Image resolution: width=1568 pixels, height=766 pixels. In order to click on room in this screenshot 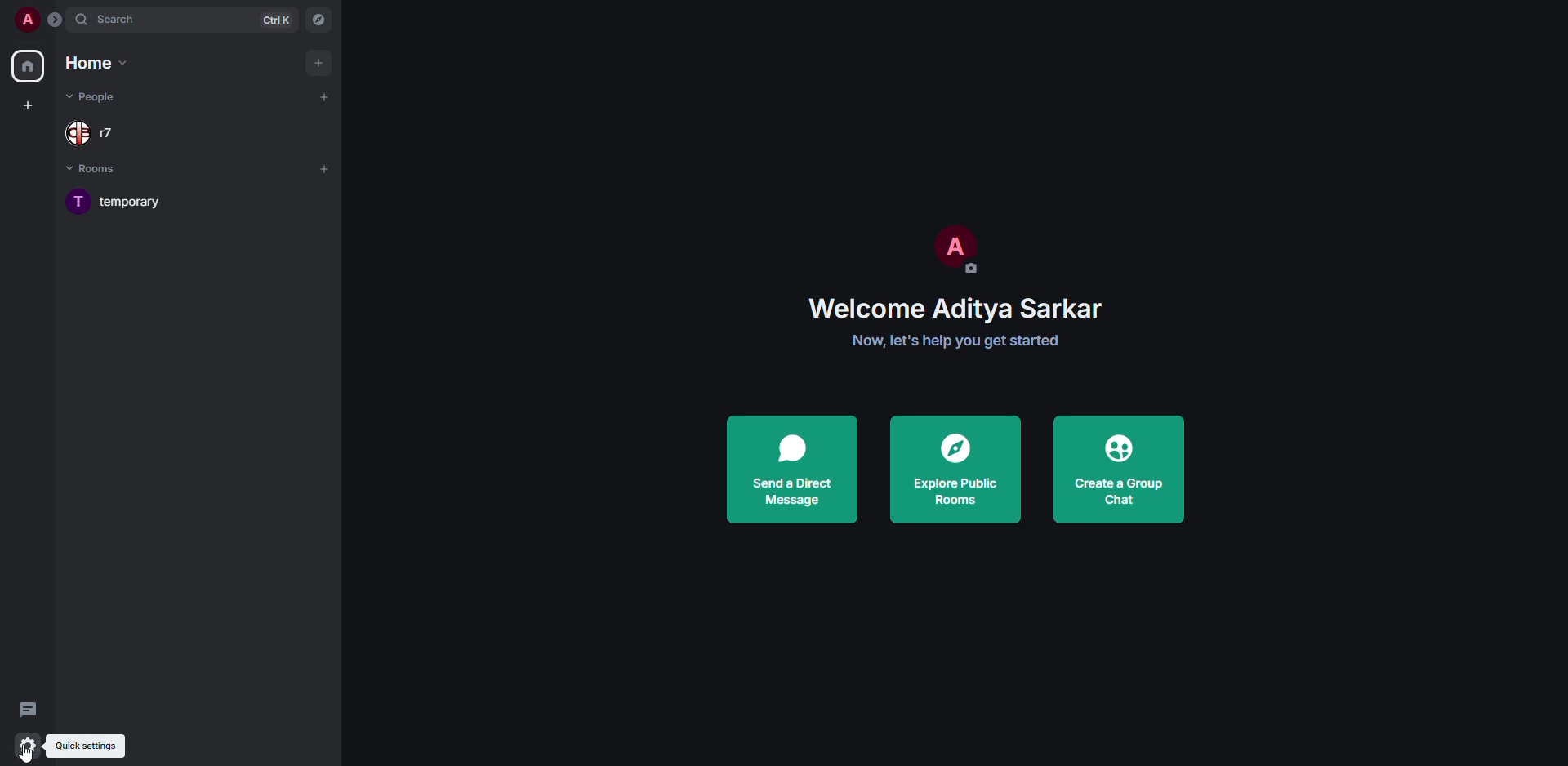, I will do `click(137, 201)`.